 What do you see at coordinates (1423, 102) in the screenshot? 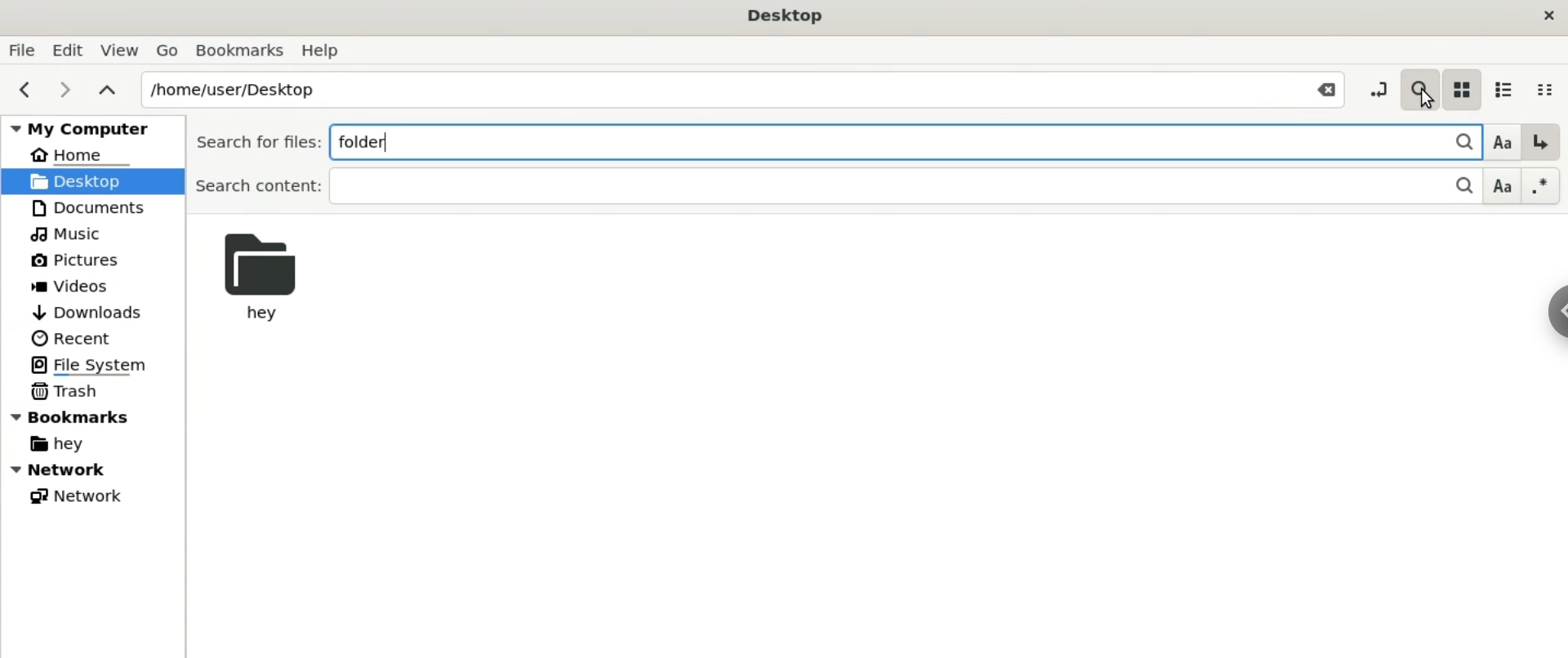
I see `Cursor` at bounding box center [1423, 102].